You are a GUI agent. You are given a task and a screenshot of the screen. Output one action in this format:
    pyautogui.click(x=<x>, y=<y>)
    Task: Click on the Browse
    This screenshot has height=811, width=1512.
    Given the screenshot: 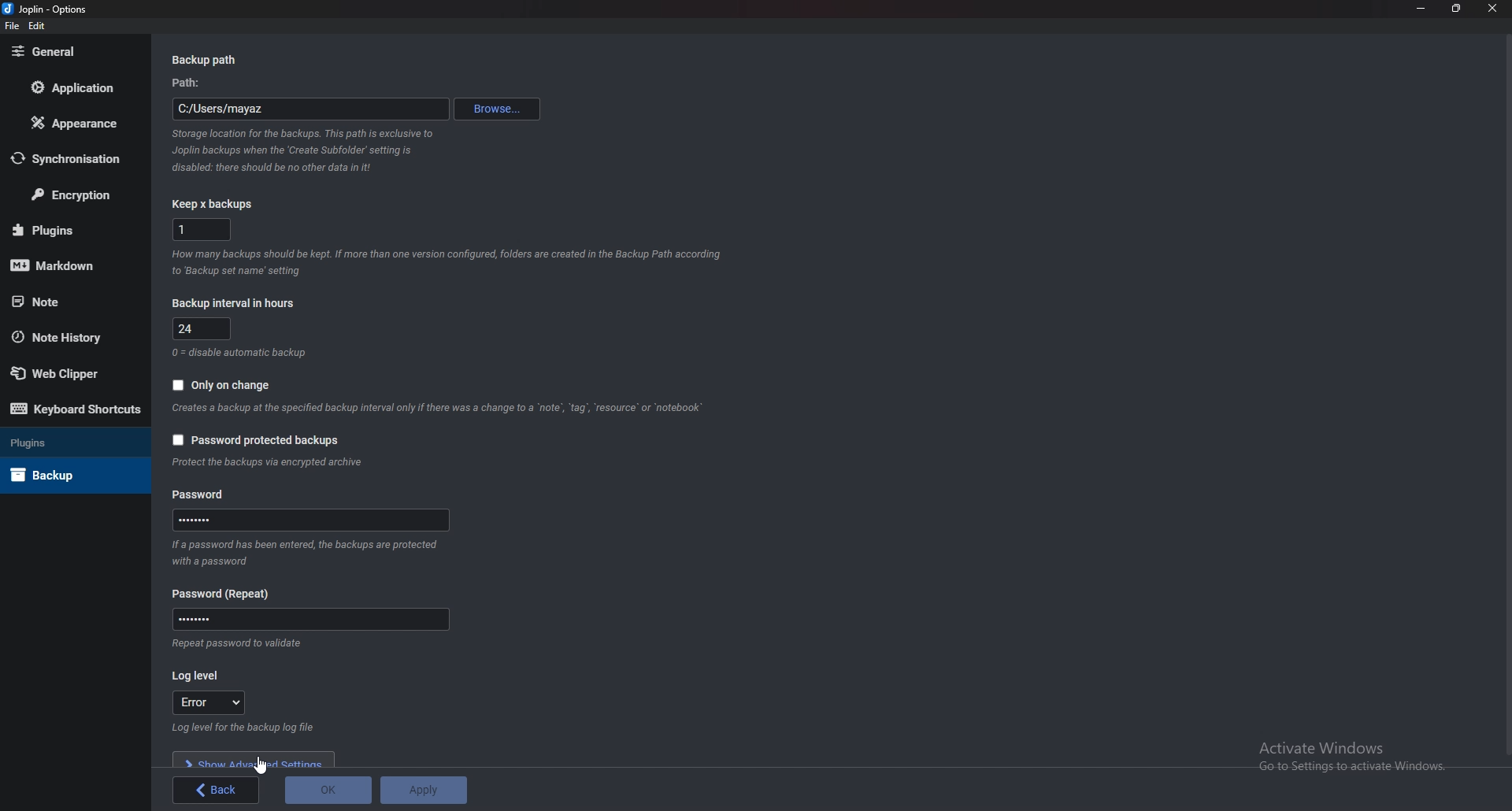 What is the action you would take?
    pyautogui.click(x=498, y=109)
    